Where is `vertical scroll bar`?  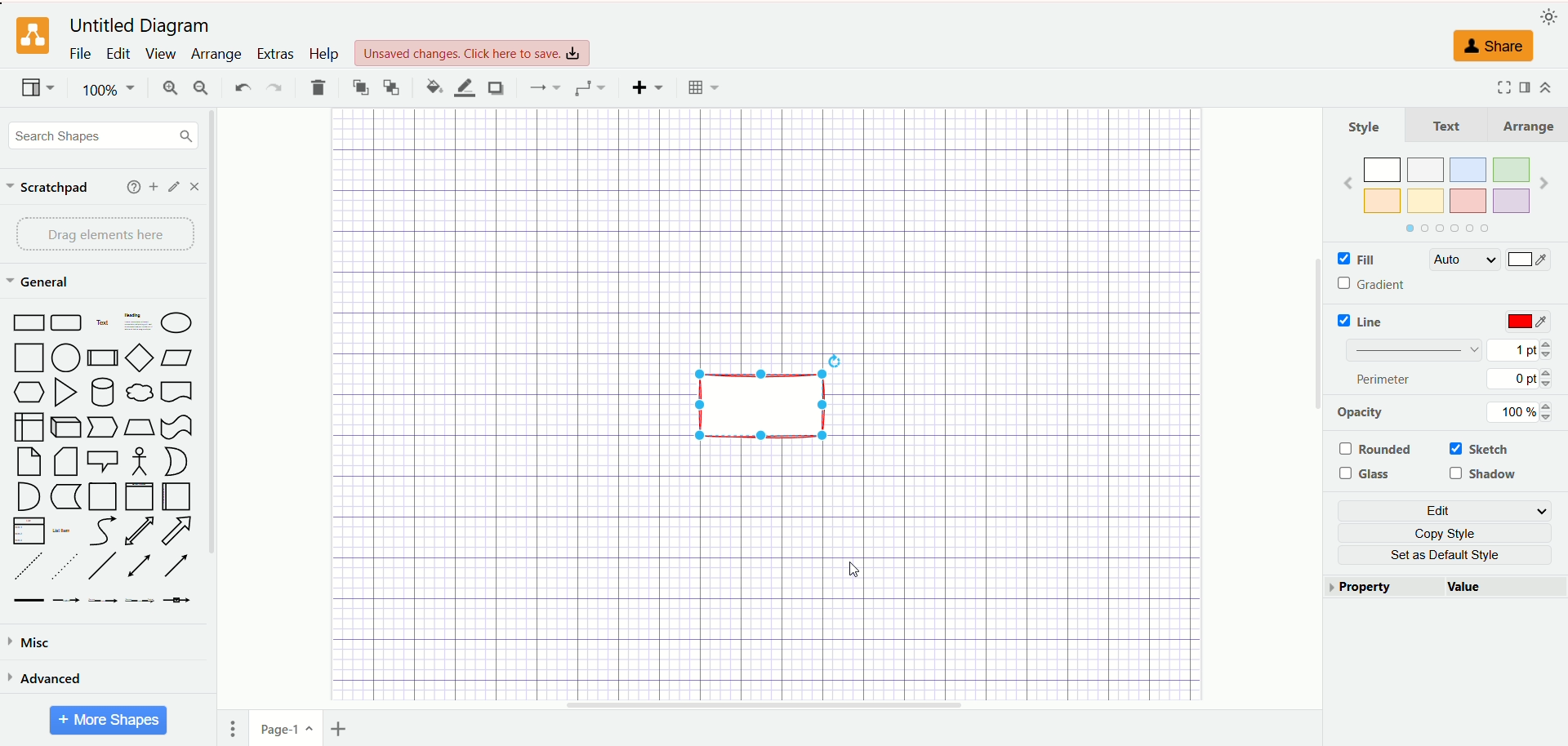
vertical scroll bar is located at coordinates (216, 426).